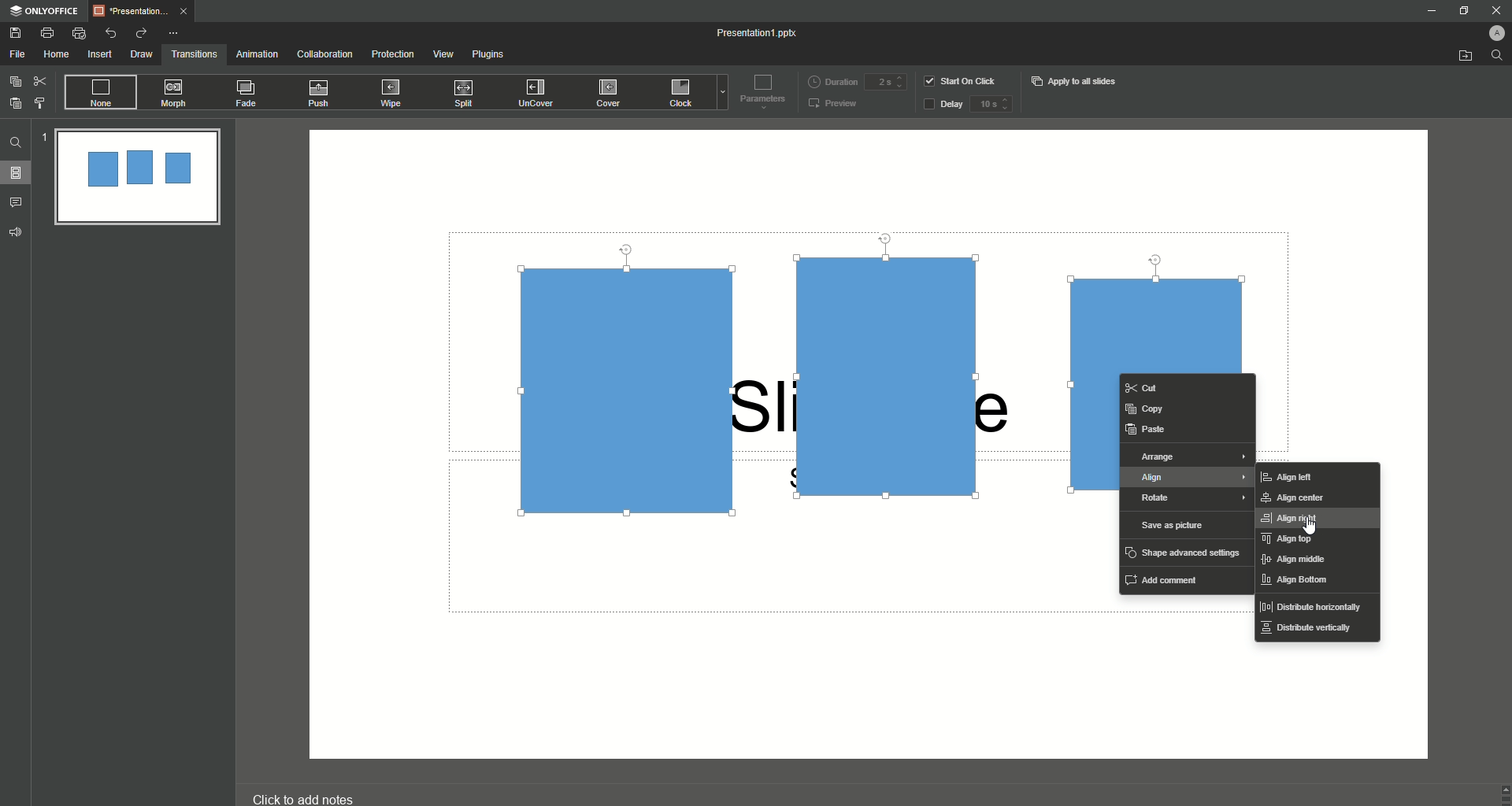 Image resolution: width=1512 pixels, height=806 pixels. What do you see at coordinates (1298, 582) in the screenshot?
I see `Align bottom` at bounding box center [1298, 582].